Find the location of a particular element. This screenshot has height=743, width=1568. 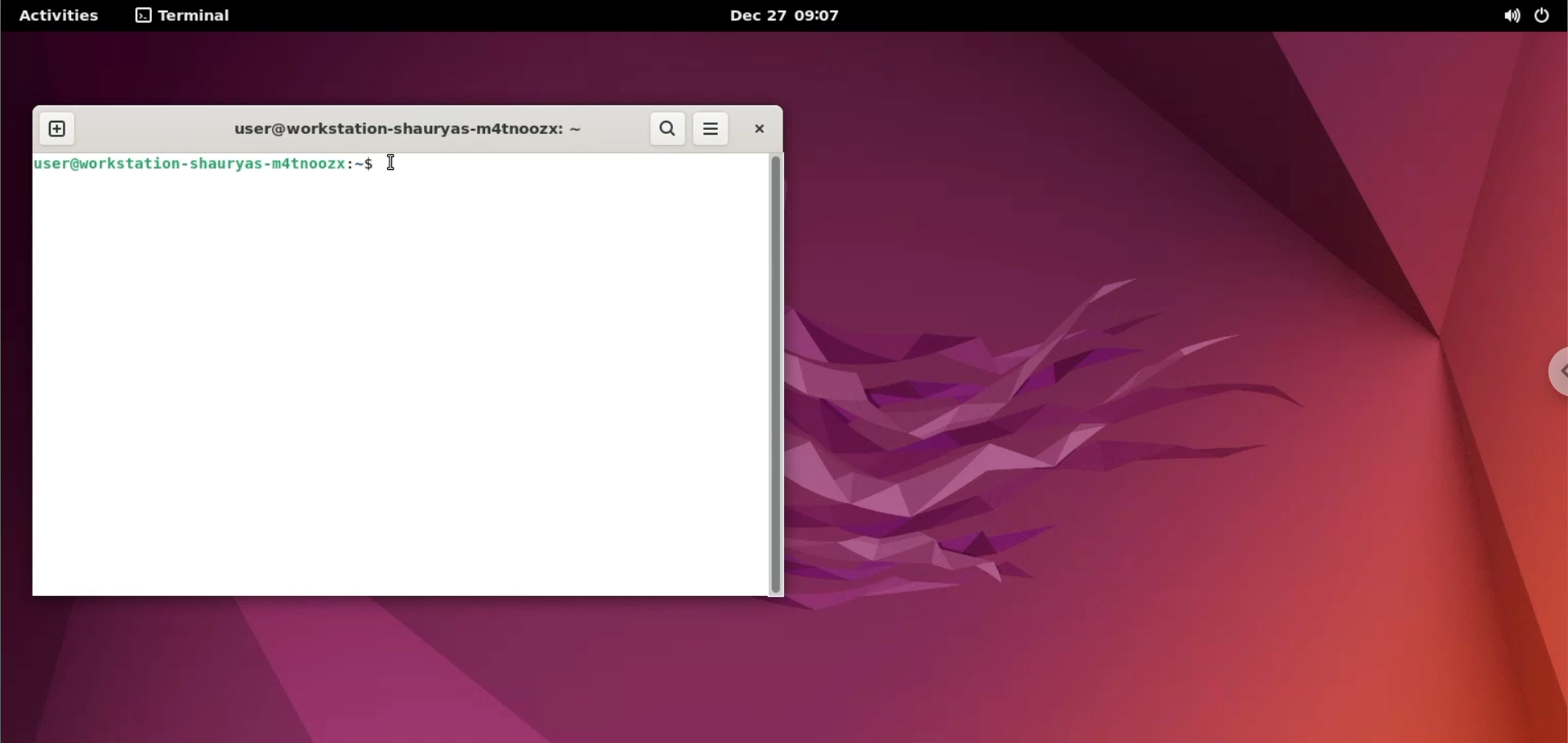

mouse pointer is located at coordinates (390, 162).